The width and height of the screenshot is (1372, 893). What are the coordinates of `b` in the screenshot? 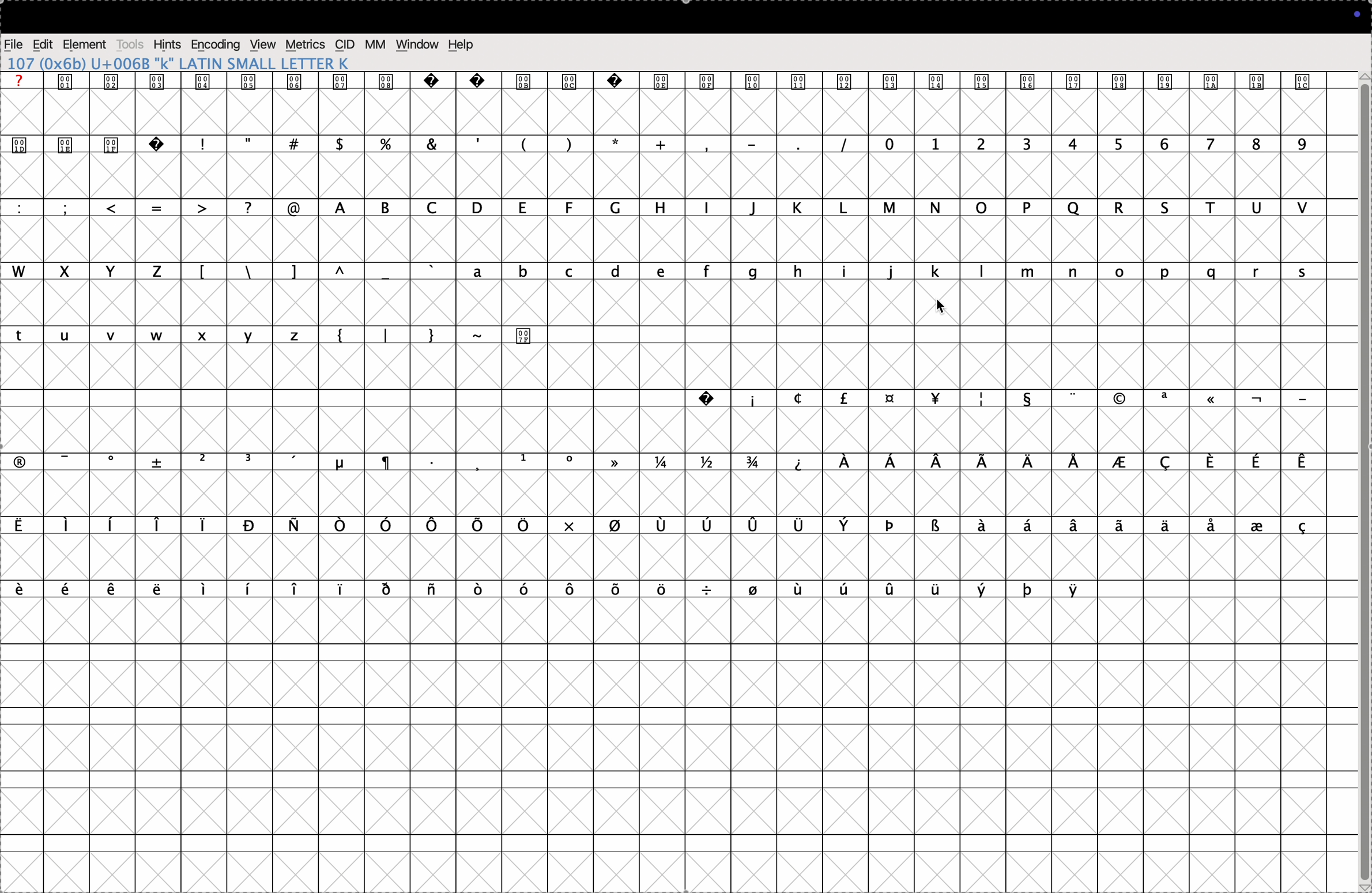 It's located at (383, 209).